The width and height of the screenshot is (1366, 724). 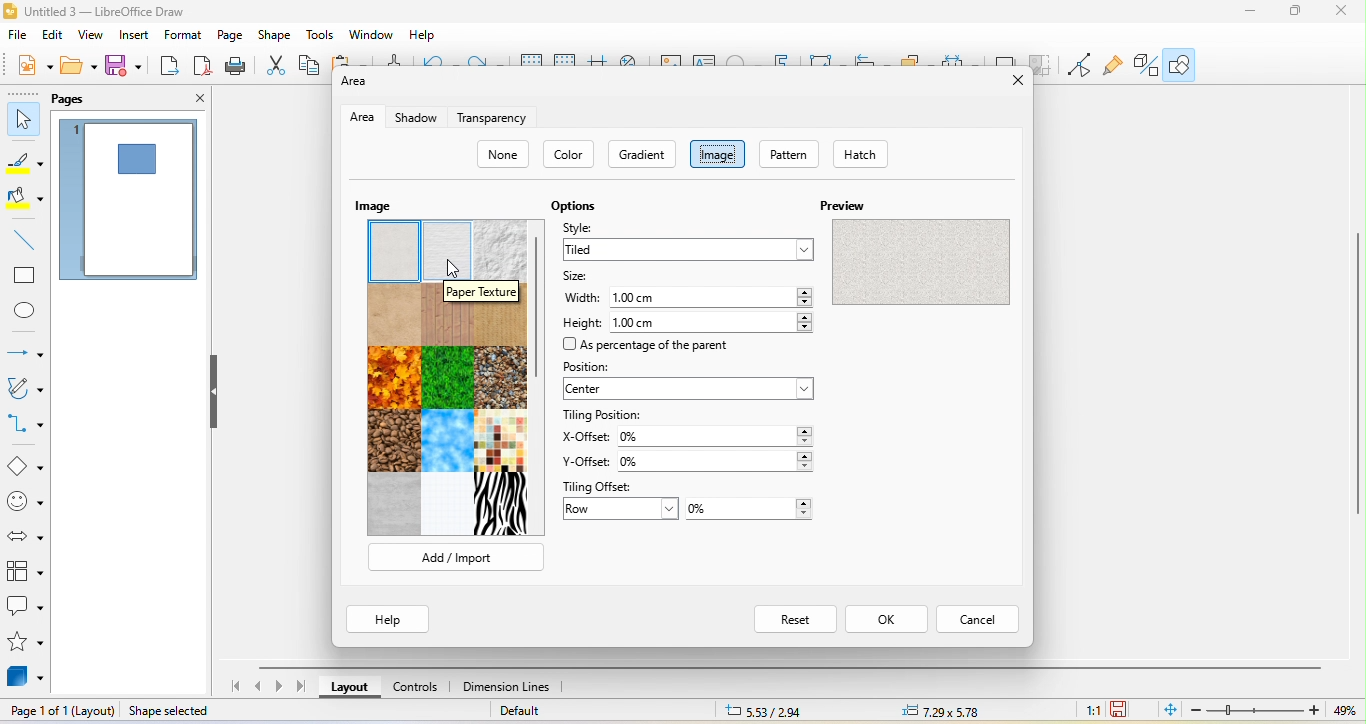 What do you see at coordinates (119, 11) in the screenshot?
I see `title` at bounding box center [119, 11].